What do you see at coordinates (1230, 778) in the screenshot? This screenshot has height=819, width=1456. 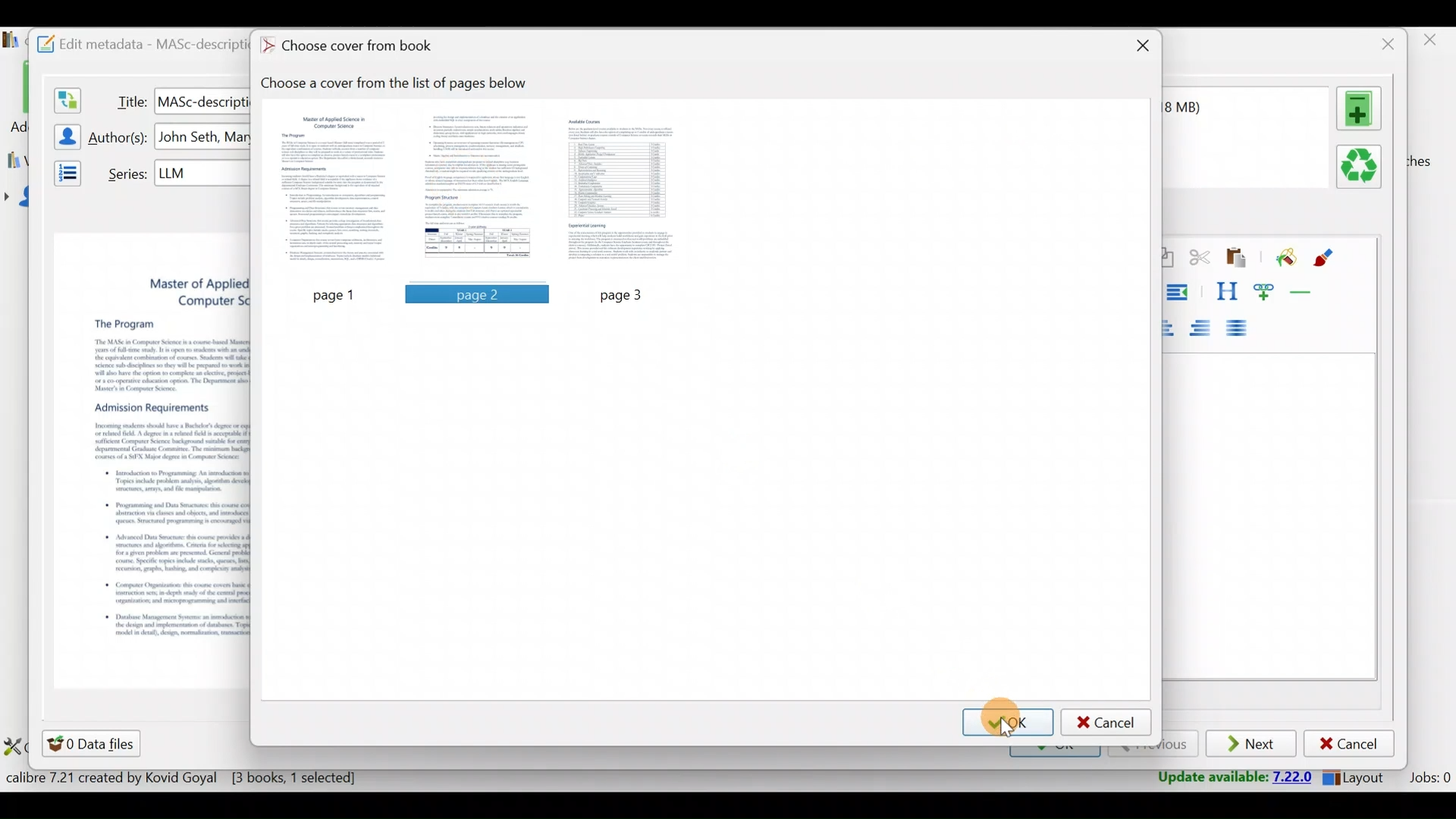 I see `Update` at bounding box center [1230, 778].